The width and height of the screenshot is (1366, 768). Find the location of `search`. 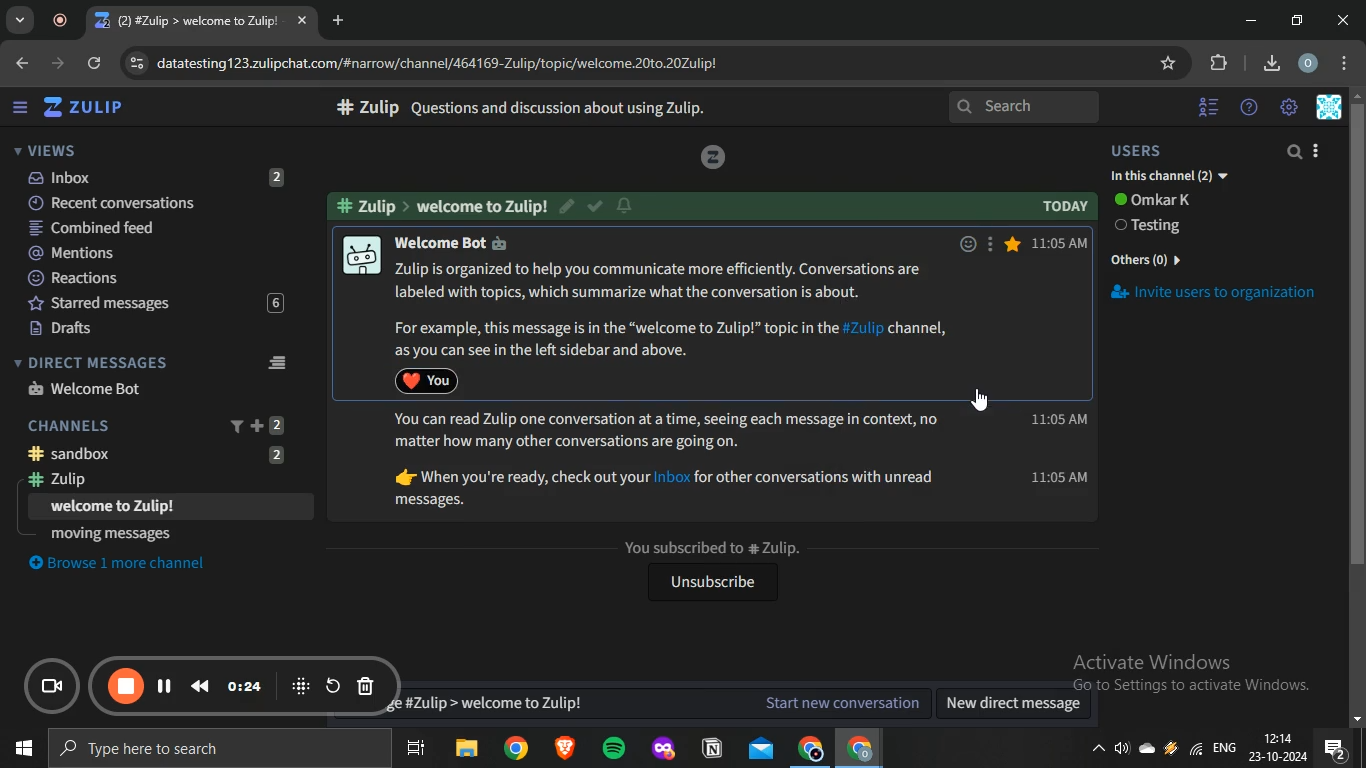

search is located at coordinates (1296, 153).